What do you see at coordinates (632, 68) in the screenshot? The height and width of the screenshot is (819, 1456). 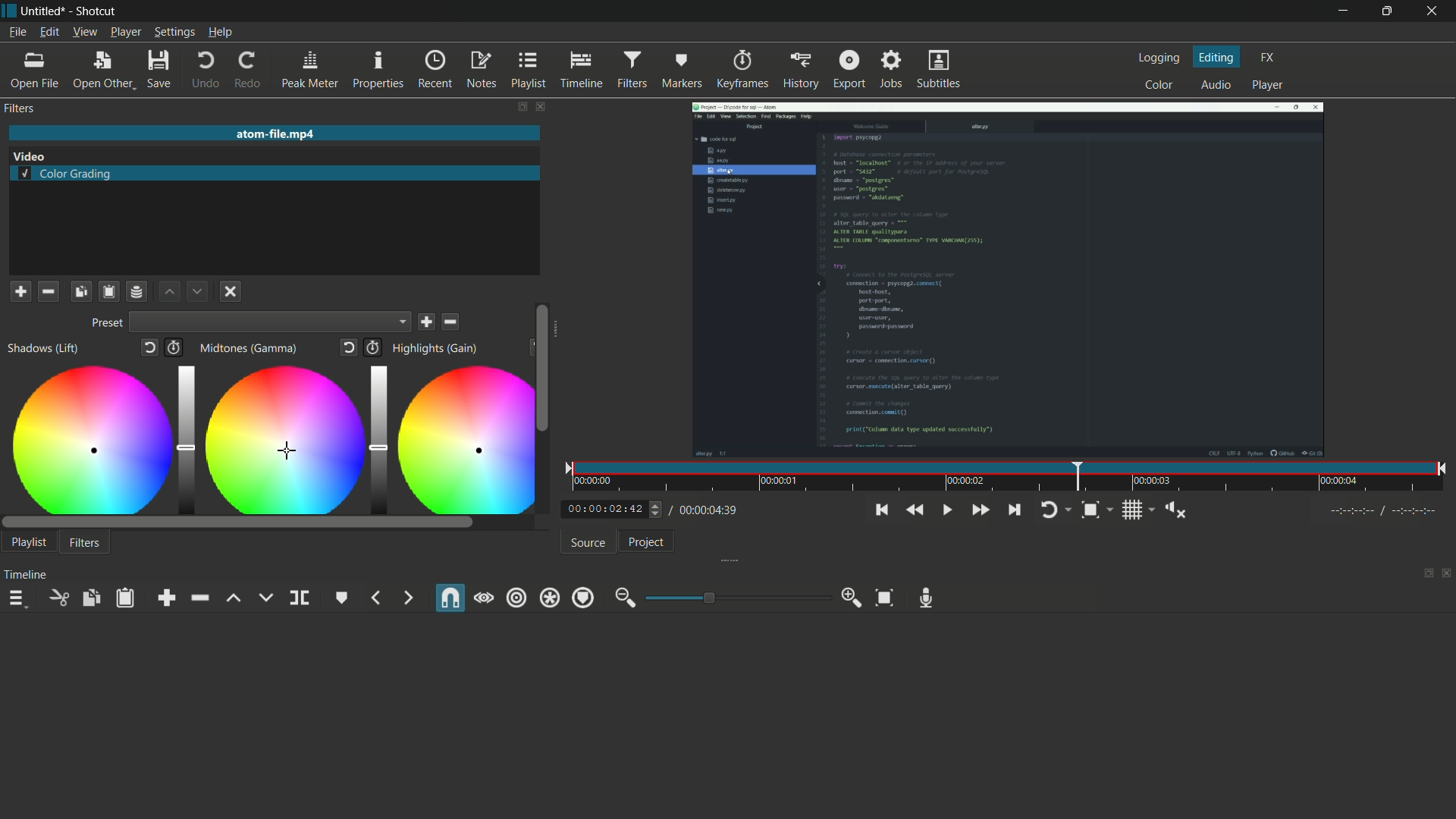 I see `filters` at bounding box center [632, 68].